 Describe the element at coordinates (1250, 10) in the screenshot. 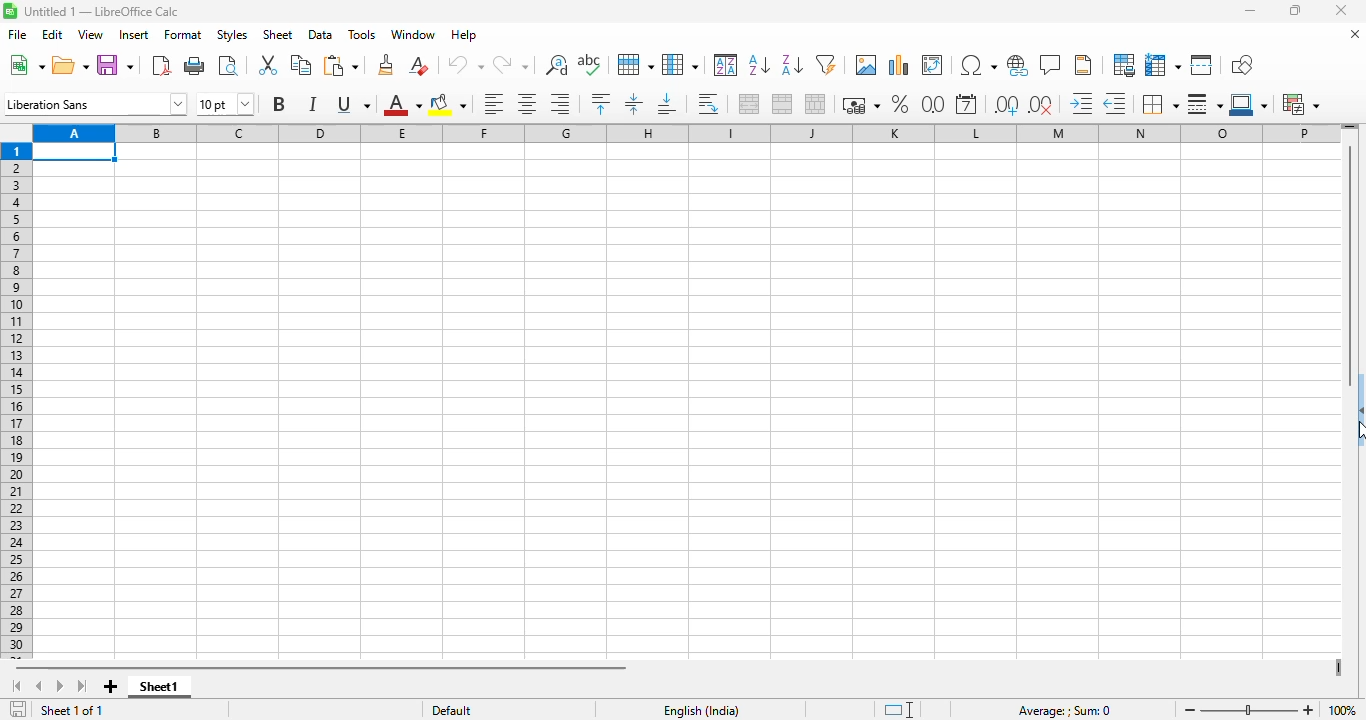

I see `minimize` at that location.